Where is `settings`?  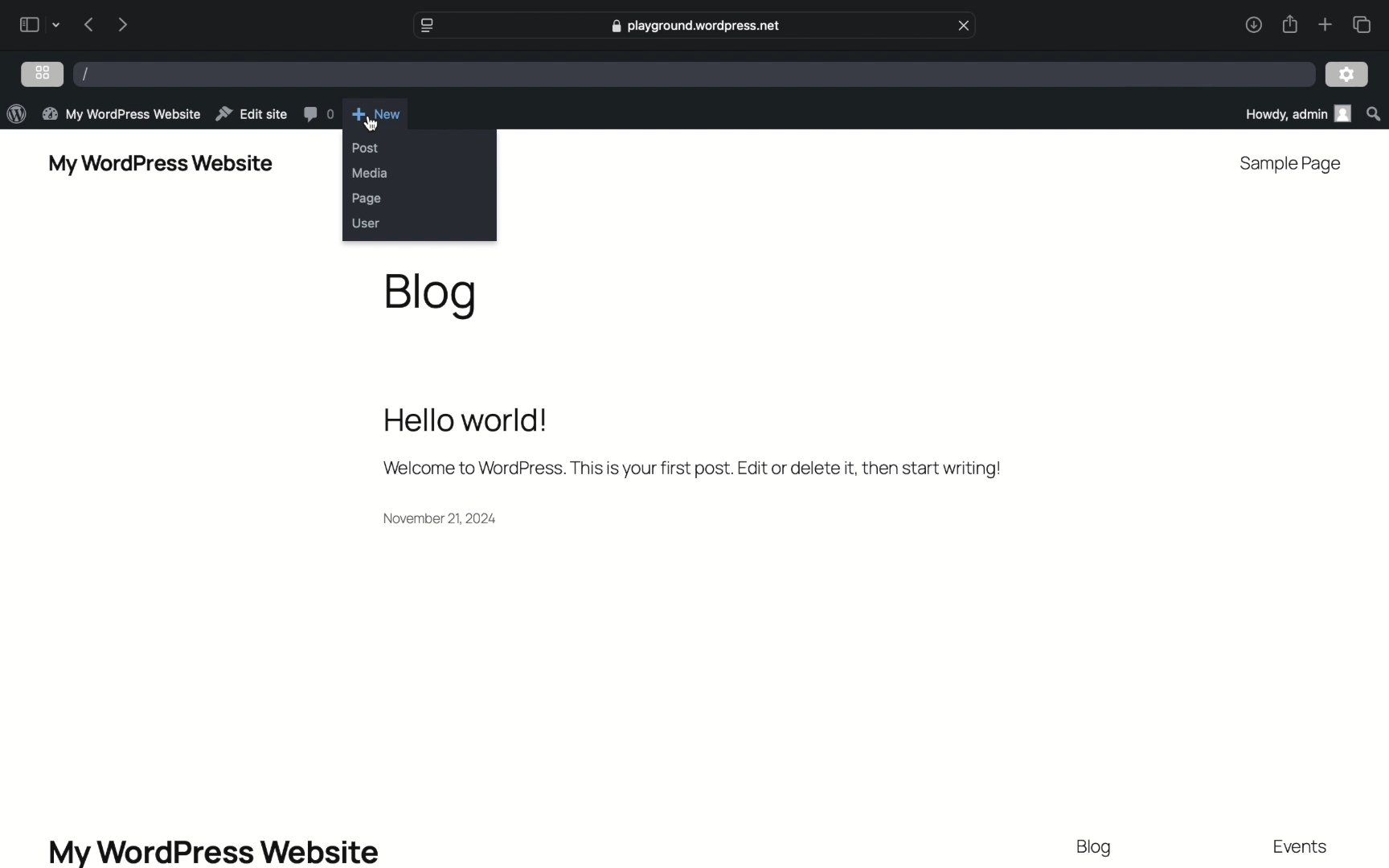
settings is located at coordinates (1347, 76).